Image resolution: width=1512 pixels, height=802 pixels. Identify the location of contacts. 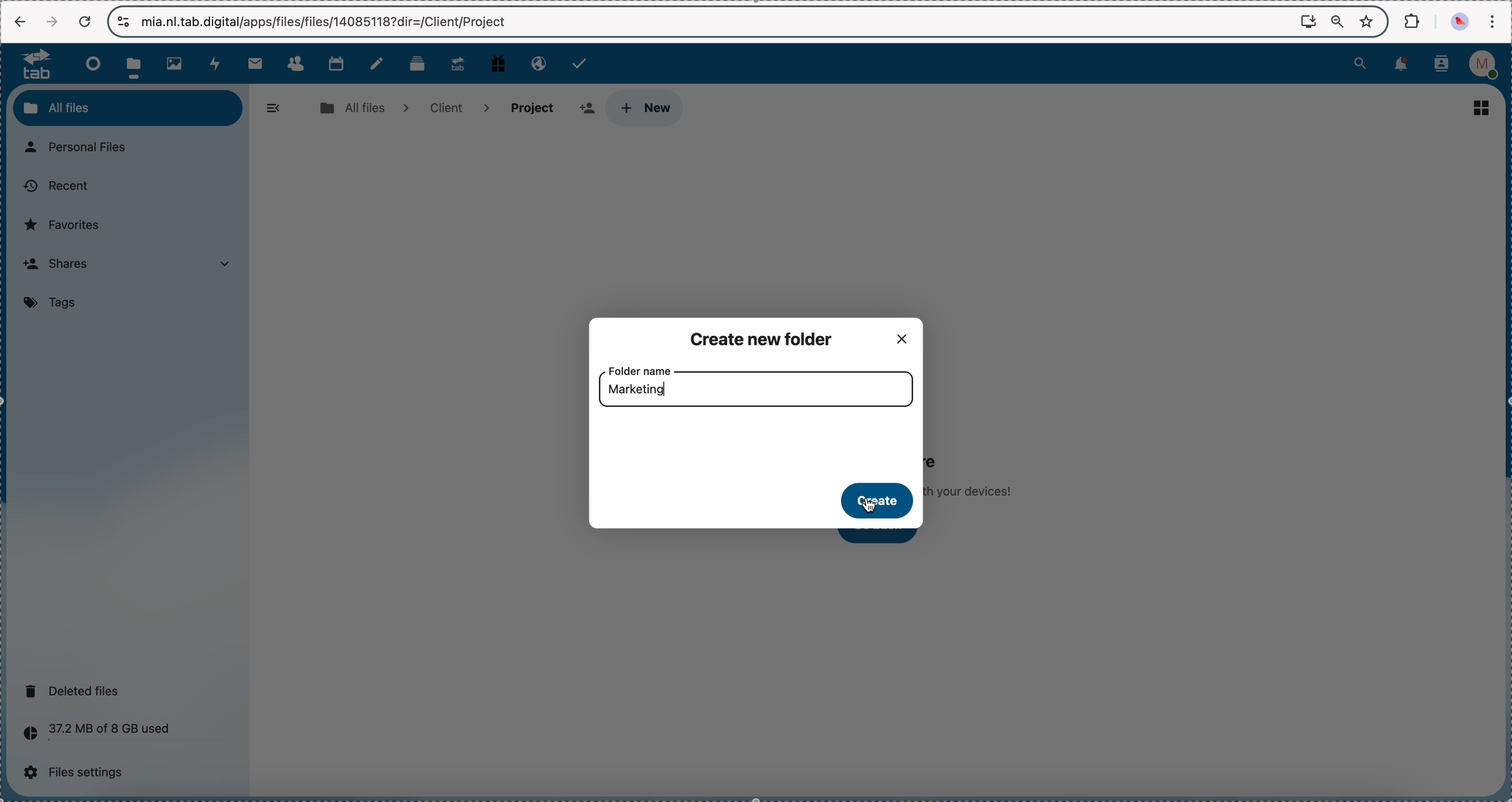
(295, 64).